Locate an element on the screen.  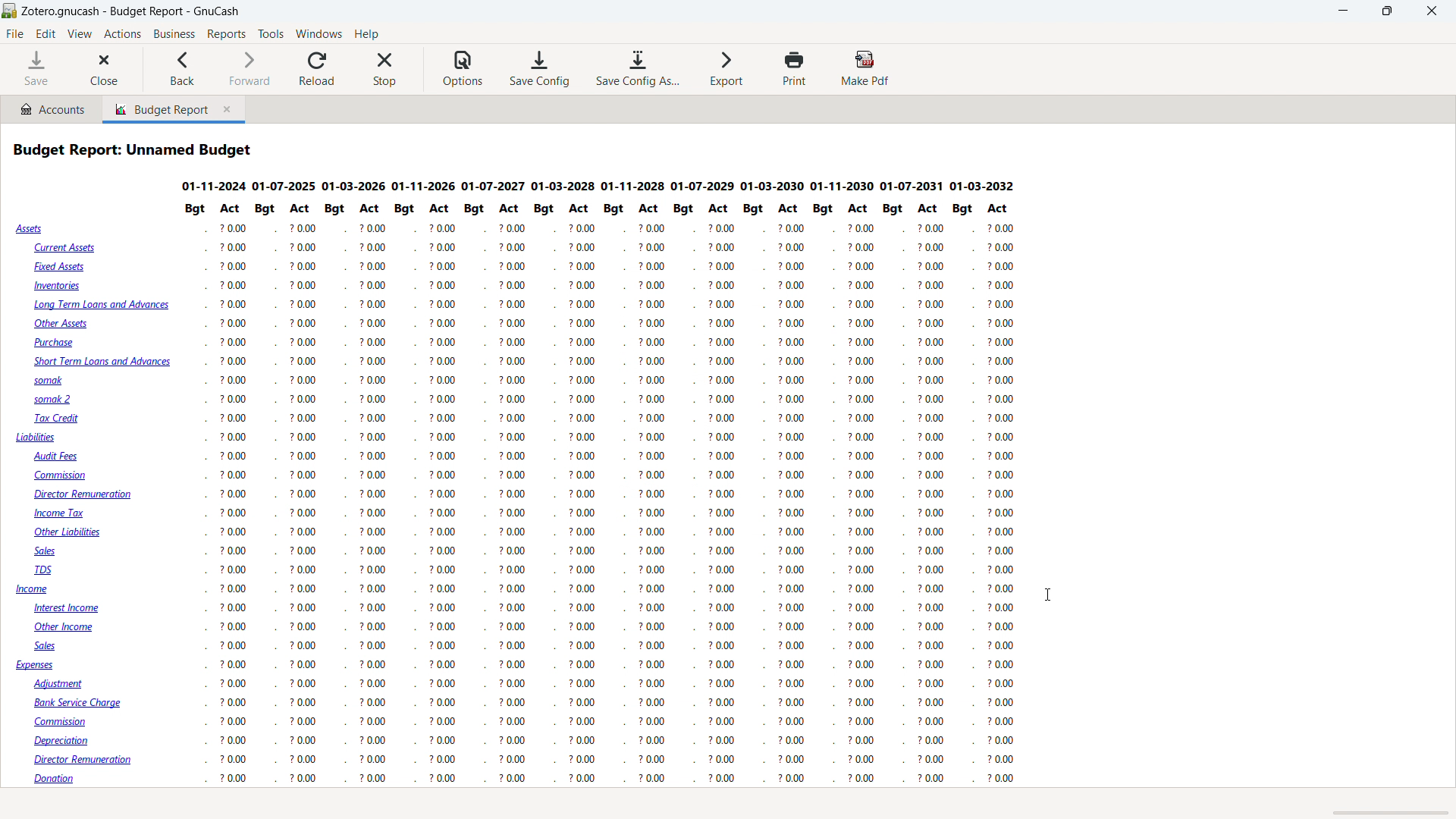
accounts tab is located at coordinates (52, 108).